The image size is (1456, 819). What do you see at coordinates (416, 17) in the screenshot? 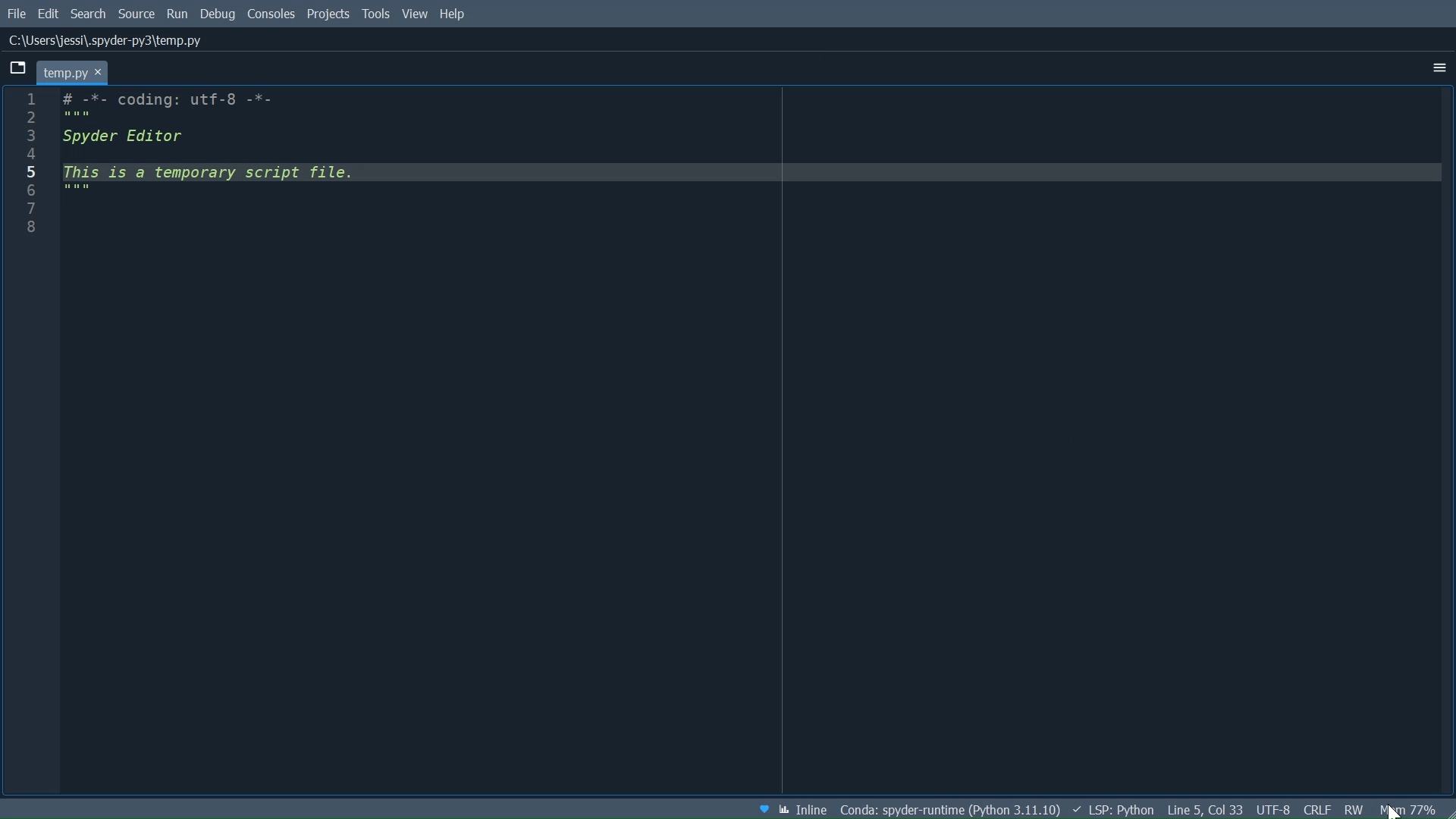
I see `View` at bounding box center [416, 17].